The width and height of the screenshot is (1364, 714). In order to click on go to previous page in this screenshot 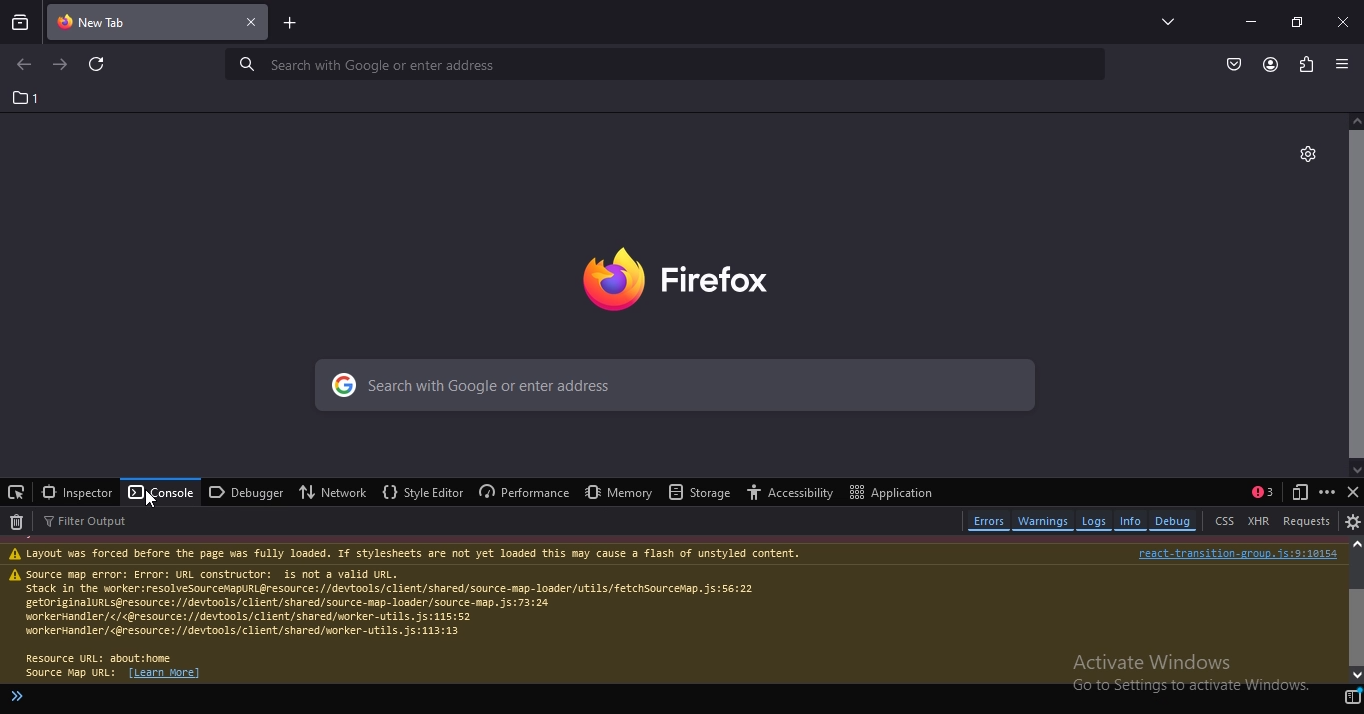, I will do `click(21, 67)`.